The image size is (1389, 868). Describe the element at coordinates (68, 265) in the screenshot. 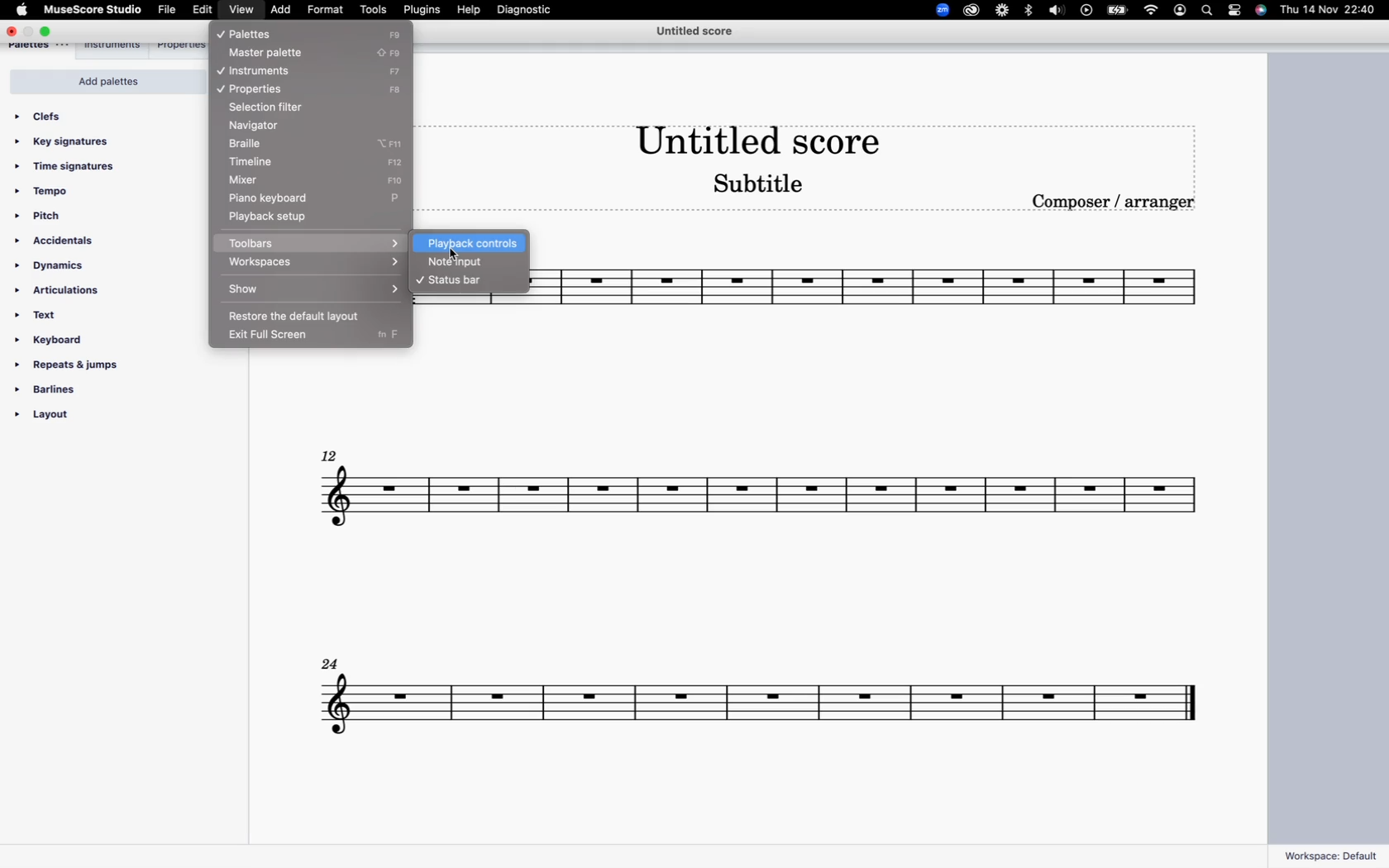

I see `dynamics` at that location.